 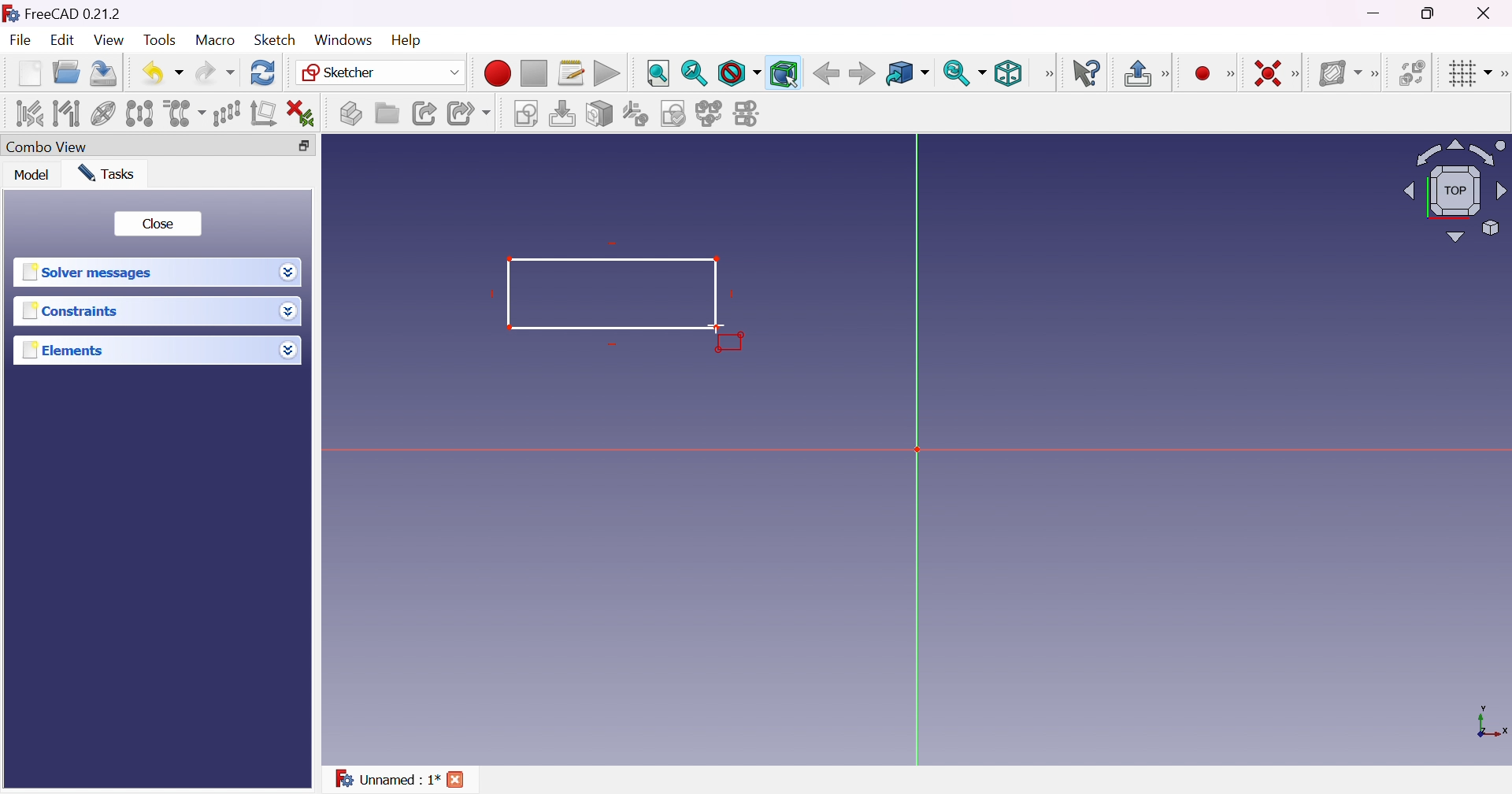 I want to click on Viewing angle, so click(x=1455, y=191).